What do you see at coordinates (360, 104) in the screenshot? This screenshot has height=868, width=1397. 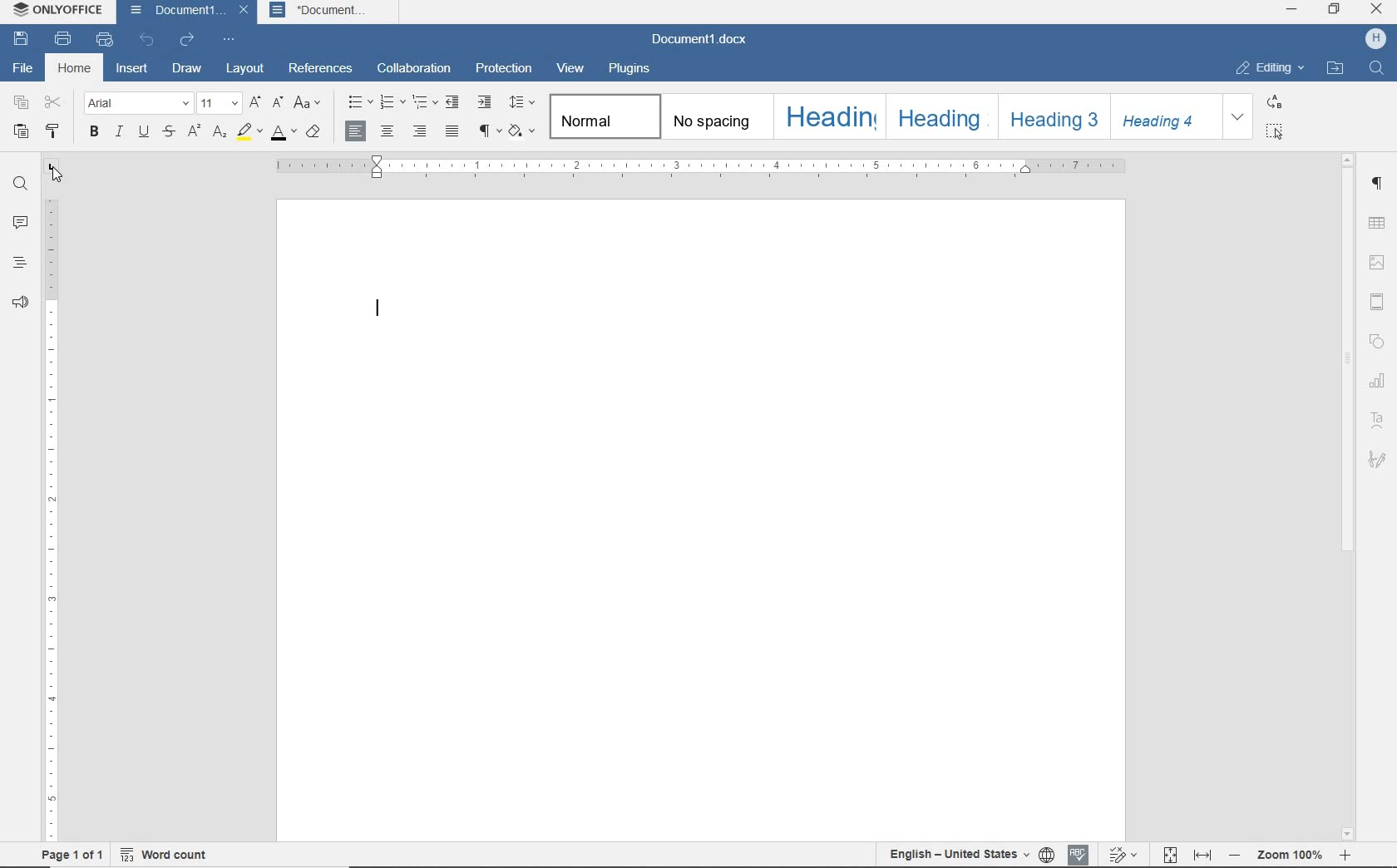 I see `BULLETS` at bounding box center [360, 104].